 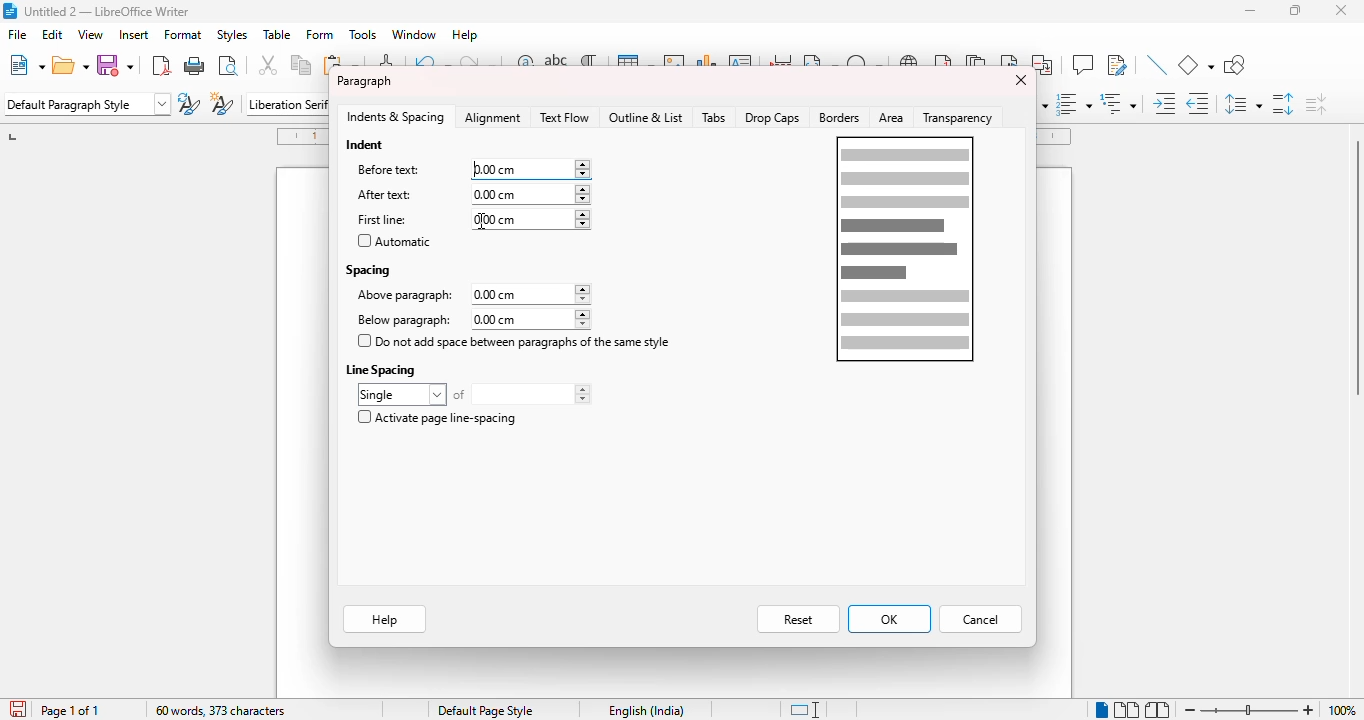 I want to click on decrease paragraph spacing, so click(x=1315, y=103).